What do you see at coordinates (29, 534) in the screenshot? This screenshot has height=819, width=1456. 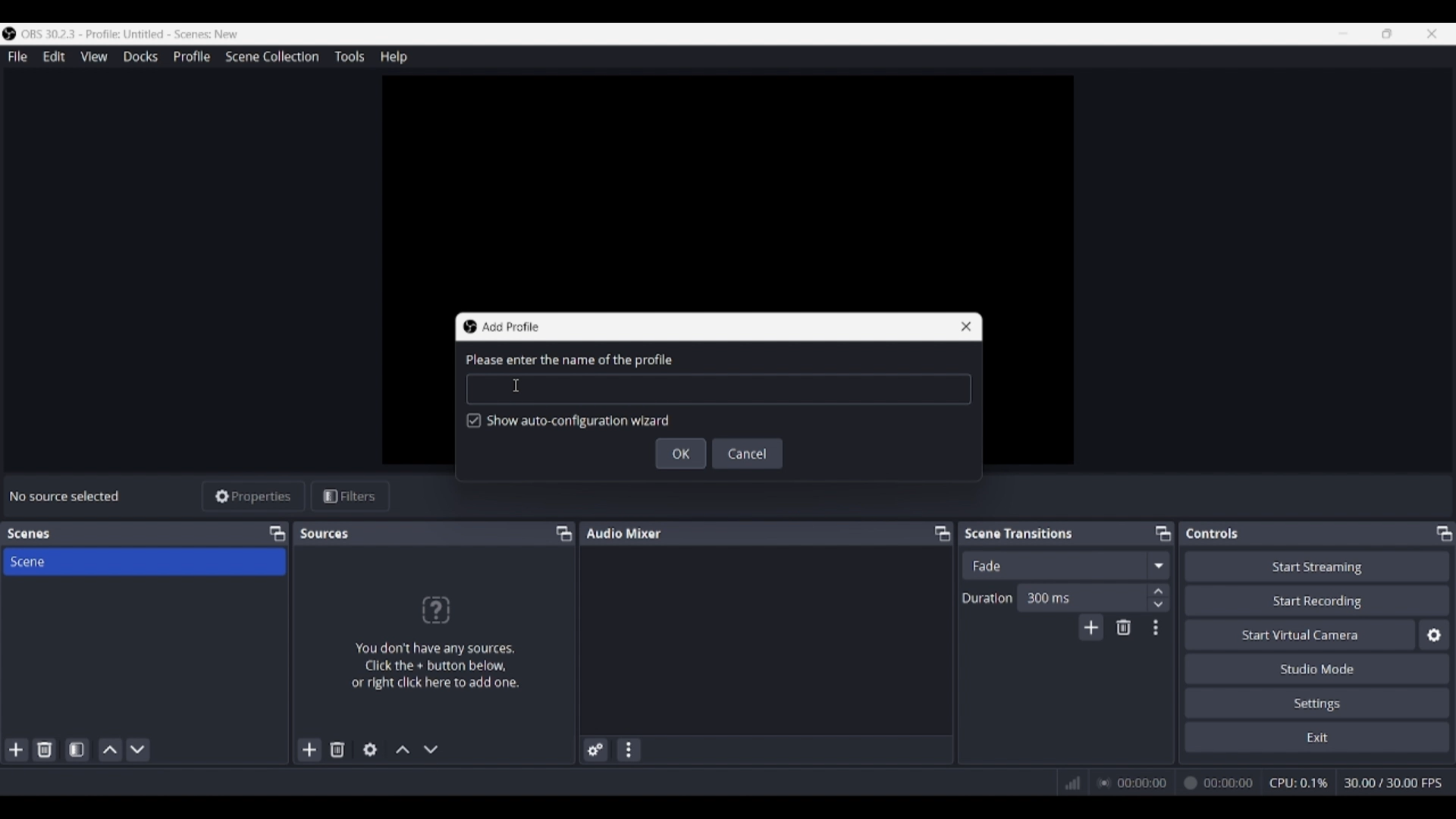 I see `Panel title` at bounding box center [29, 534].